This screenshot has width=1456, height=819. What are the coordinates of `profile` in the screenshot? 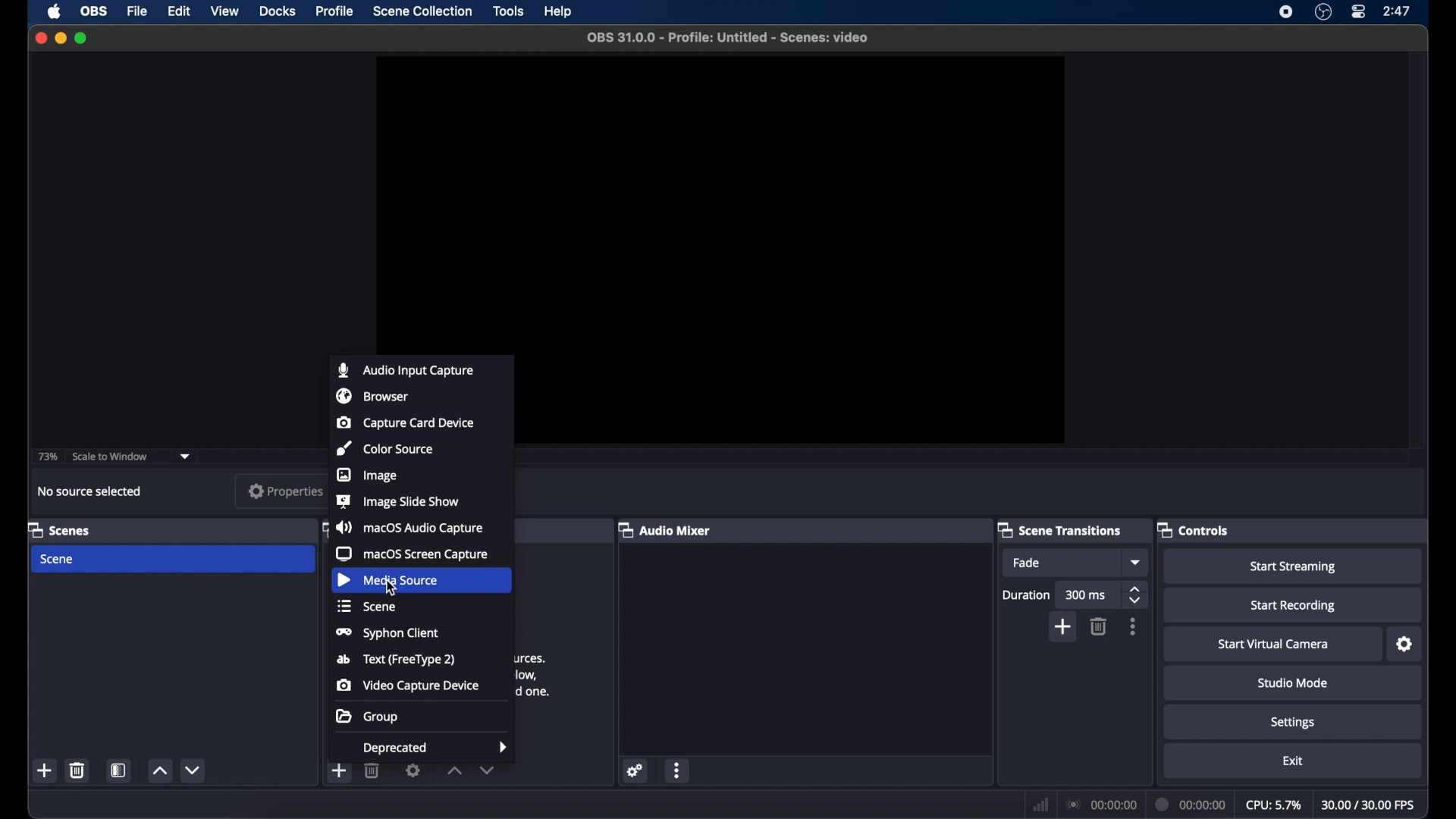 It's located at (335, 11).